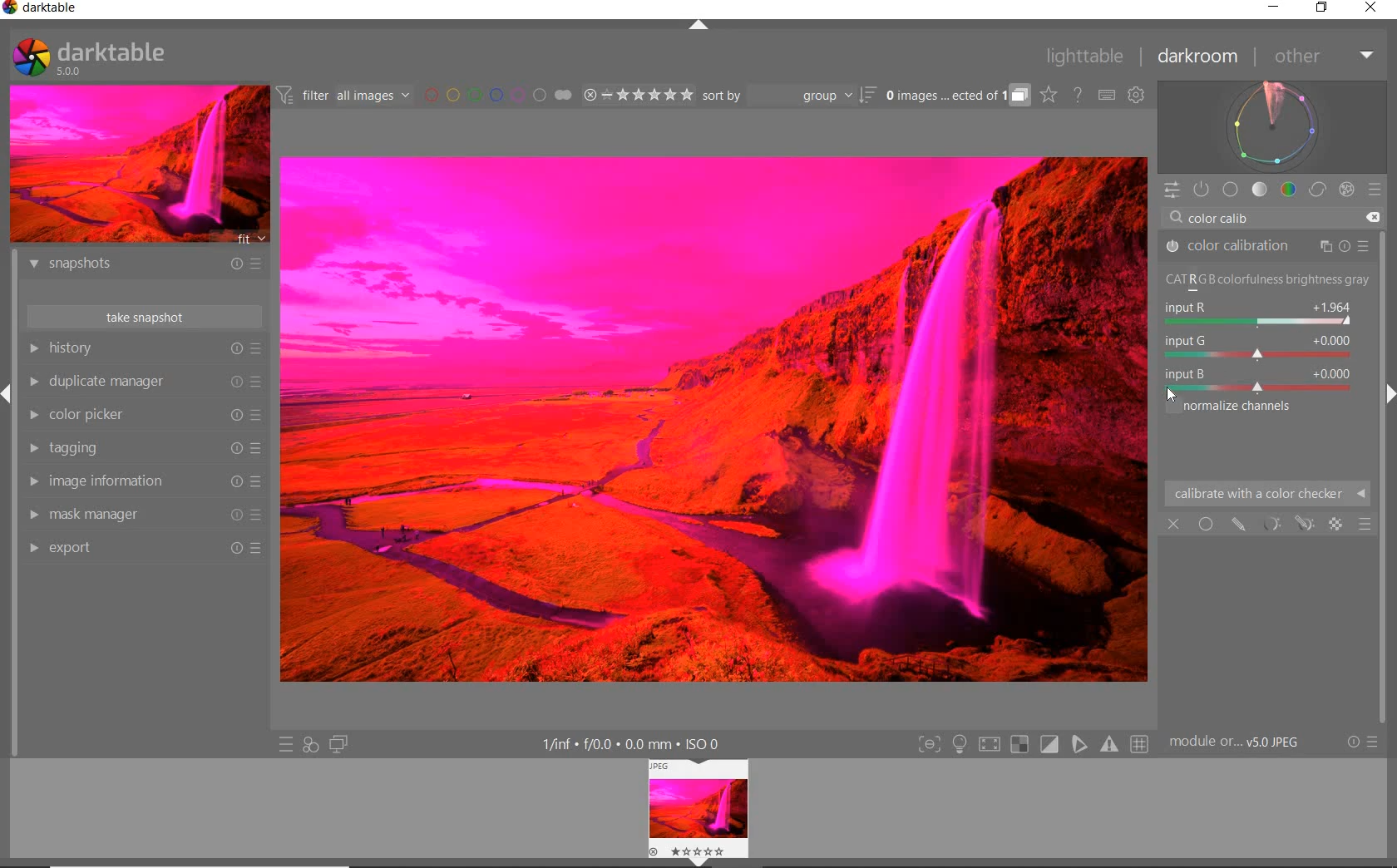  I want to click on other, so click(1320, 56).